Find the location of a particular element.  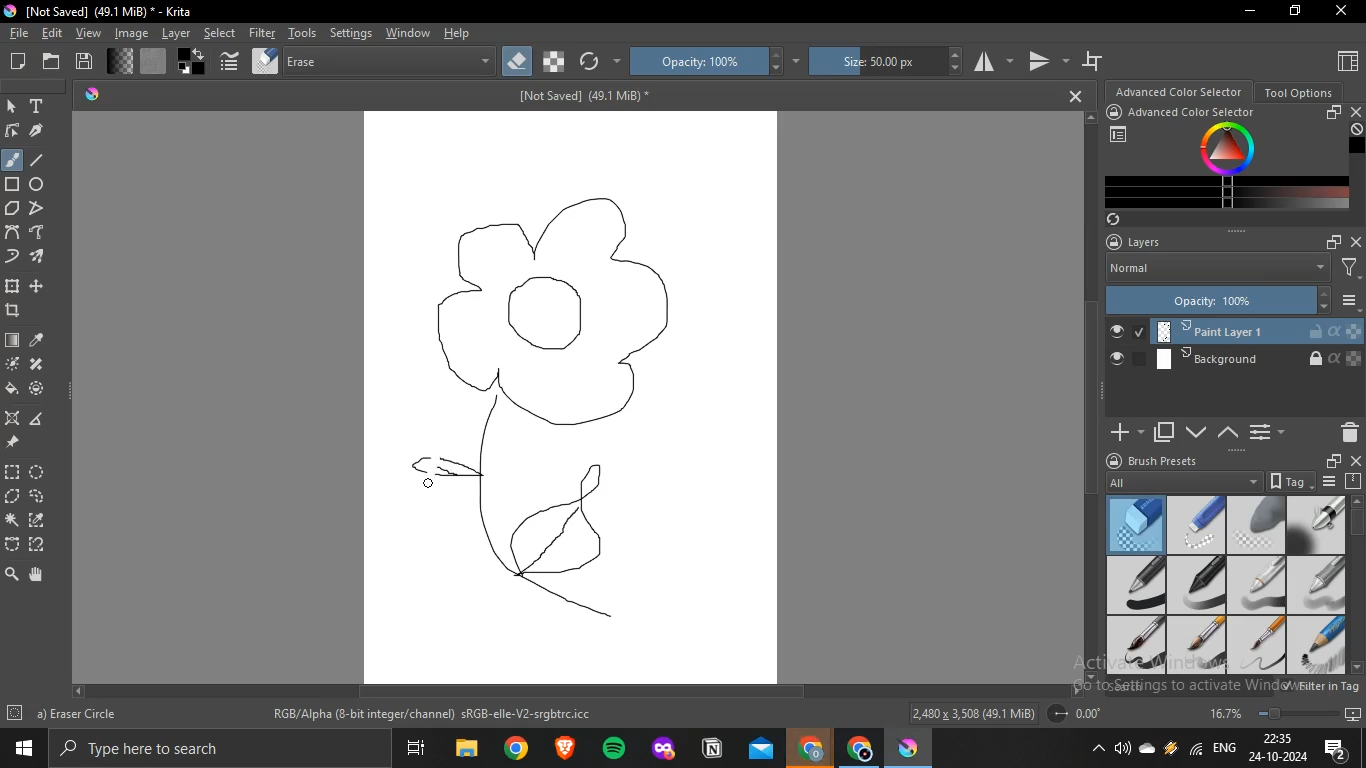

close is located at coordinates (1357, 461).